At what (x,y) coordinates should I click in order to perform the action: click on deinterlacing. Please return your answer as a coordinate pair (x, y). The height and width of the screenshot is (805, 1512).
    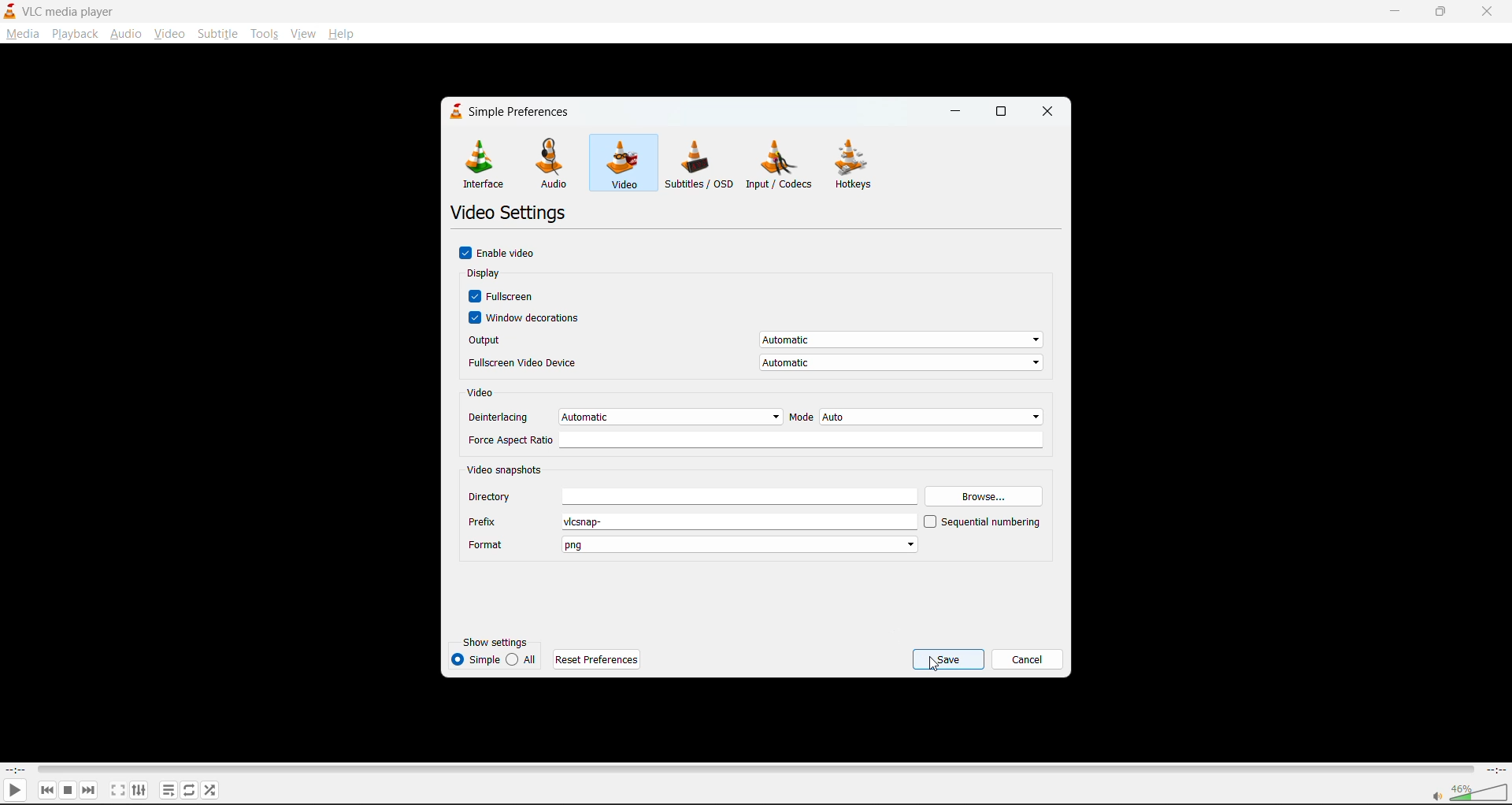
    Looking at the image, I should click on (623, 416).